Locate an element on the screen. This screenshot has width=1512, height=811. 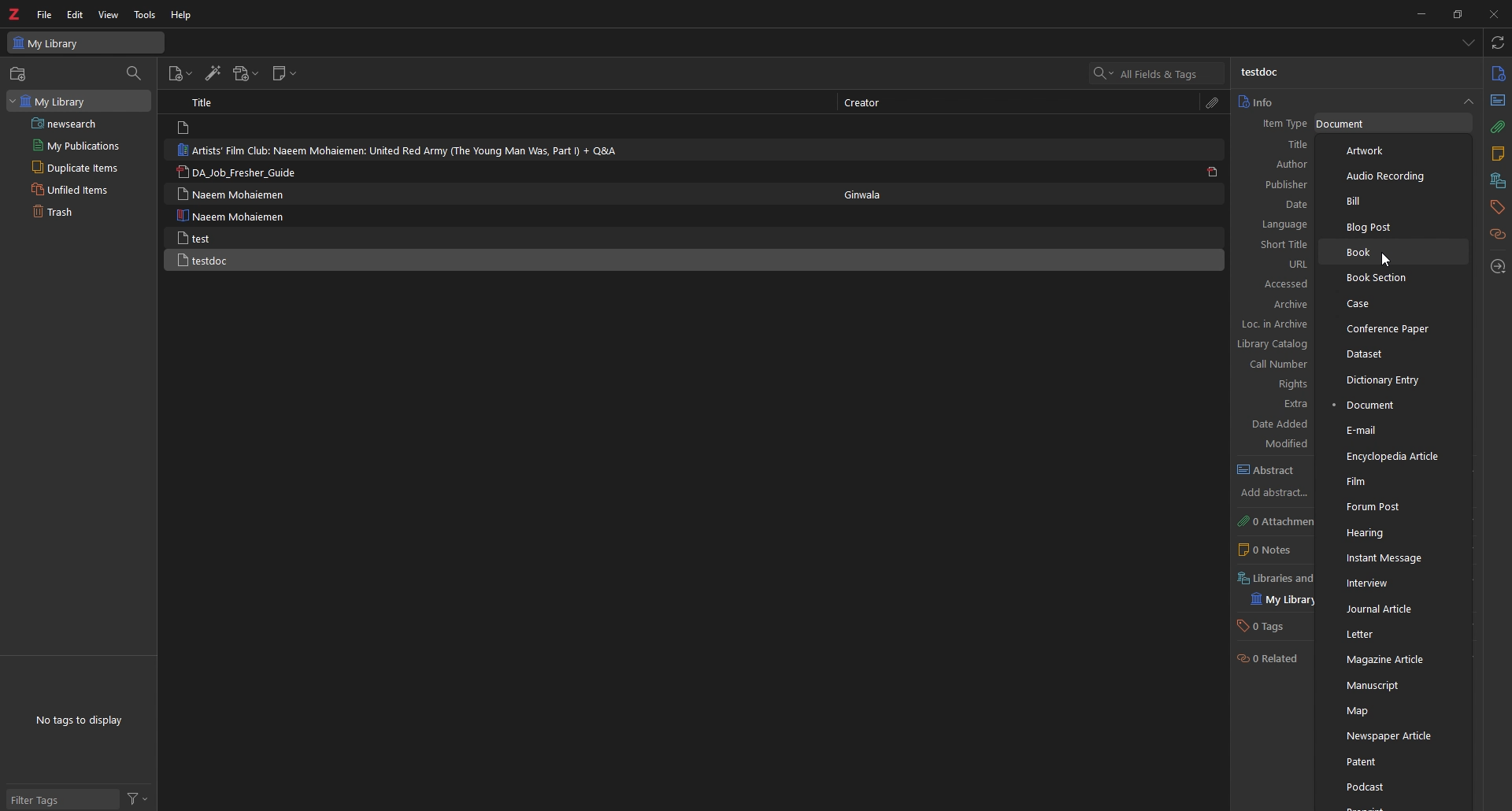
filter is located at coordinates (138, 799).